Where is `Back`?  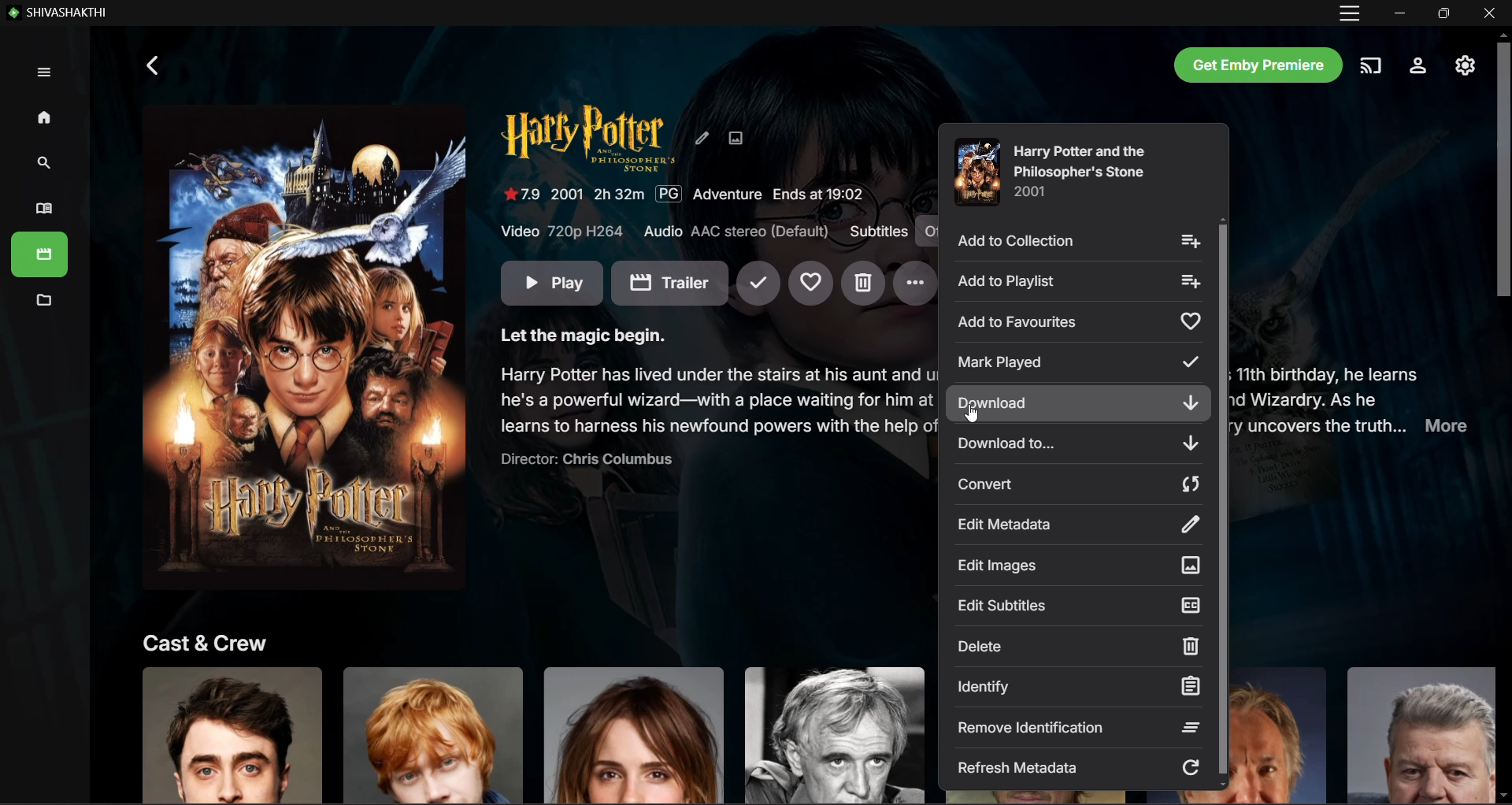 Back is located at coordinates (154, 65).